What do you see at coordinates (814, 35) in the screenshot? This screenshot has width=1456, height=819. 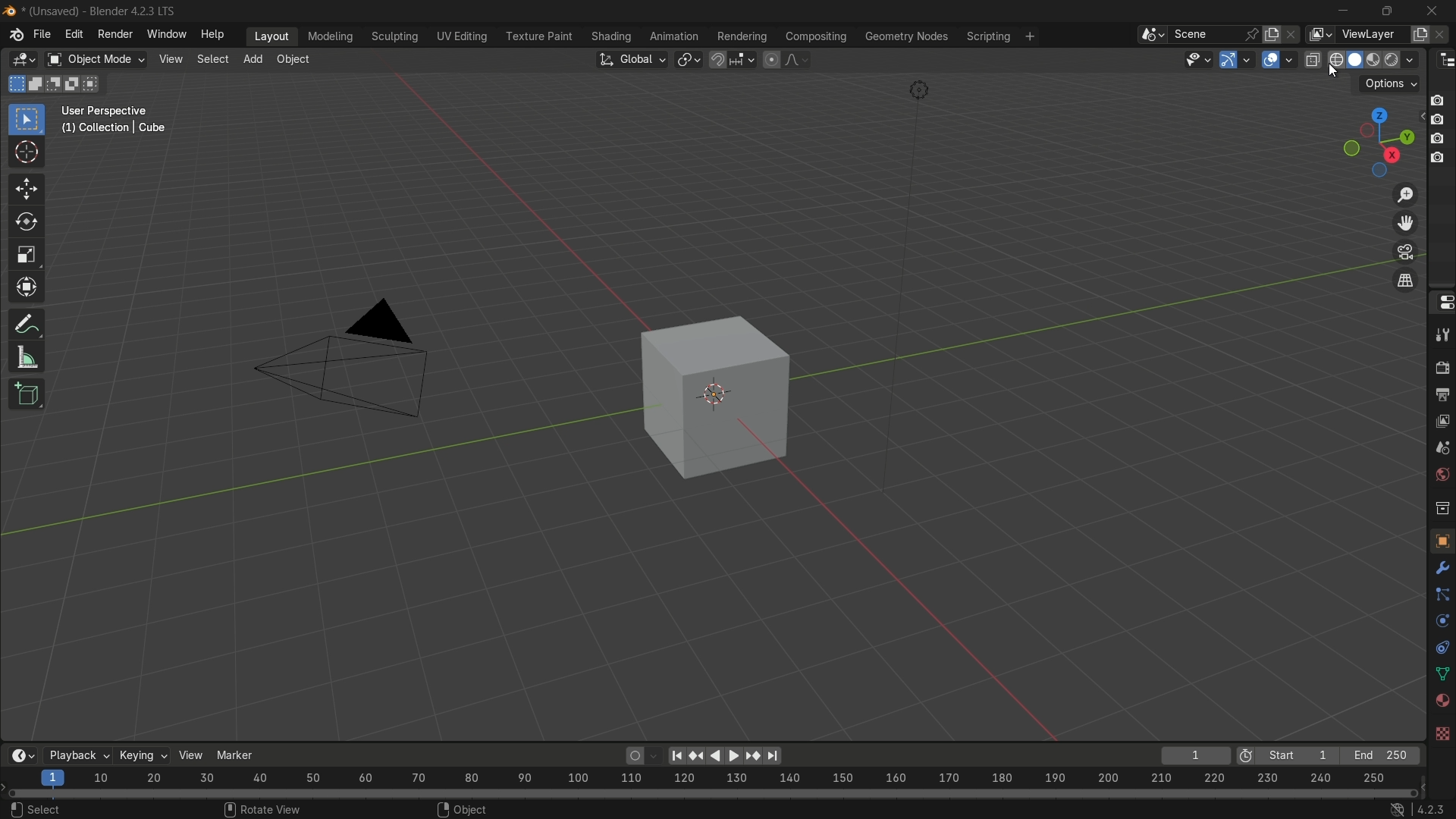 I see `compositing menu` at bounding box center [814, 35].